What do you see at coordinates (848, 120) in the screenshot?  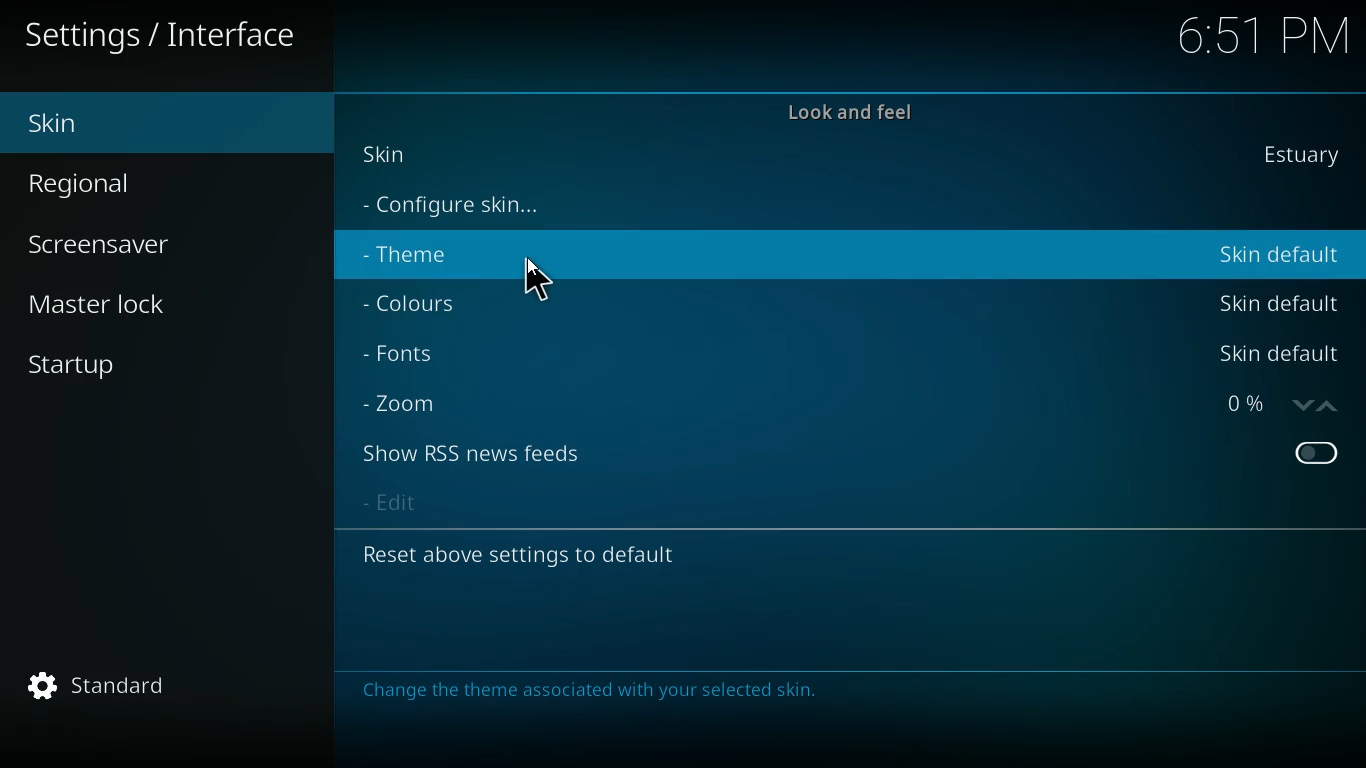 I see `look and feel` at bounding box center [848, 120].